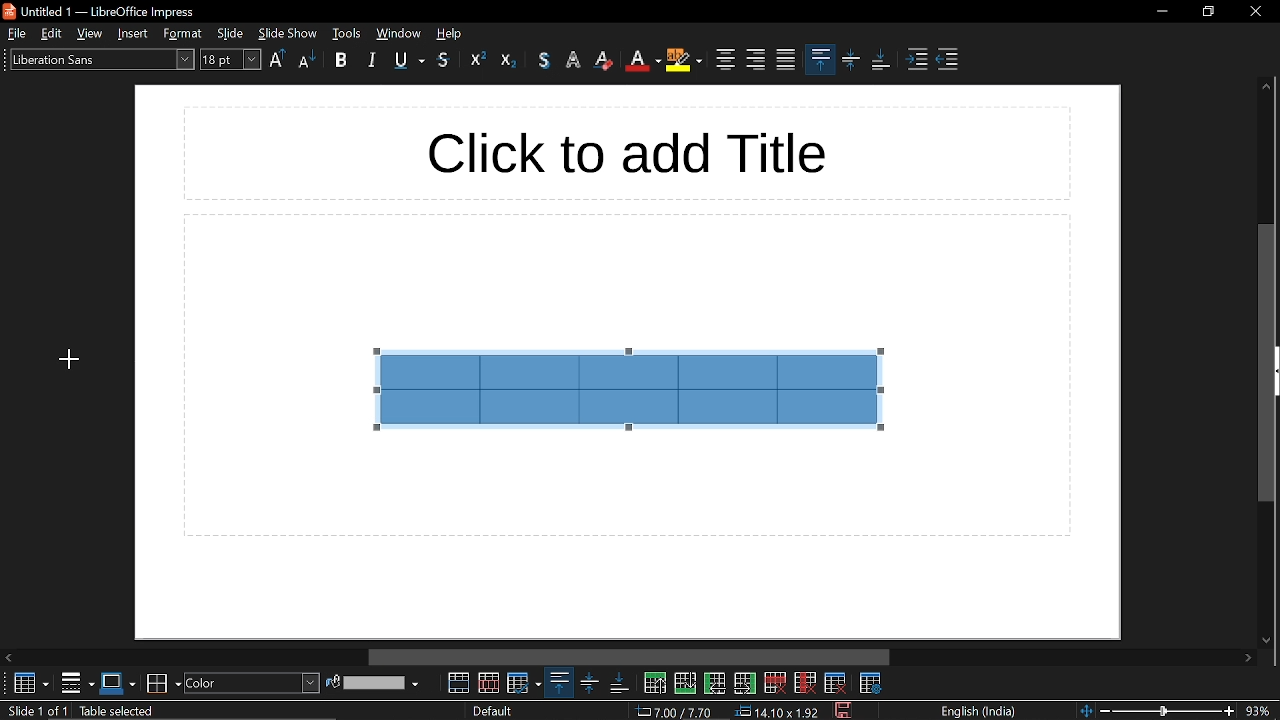 This screenshot has width=1280, height=720. What do you see at coordinates (232, 33) in the screenshot?
I see `slide` at bounding box center [232, 33].